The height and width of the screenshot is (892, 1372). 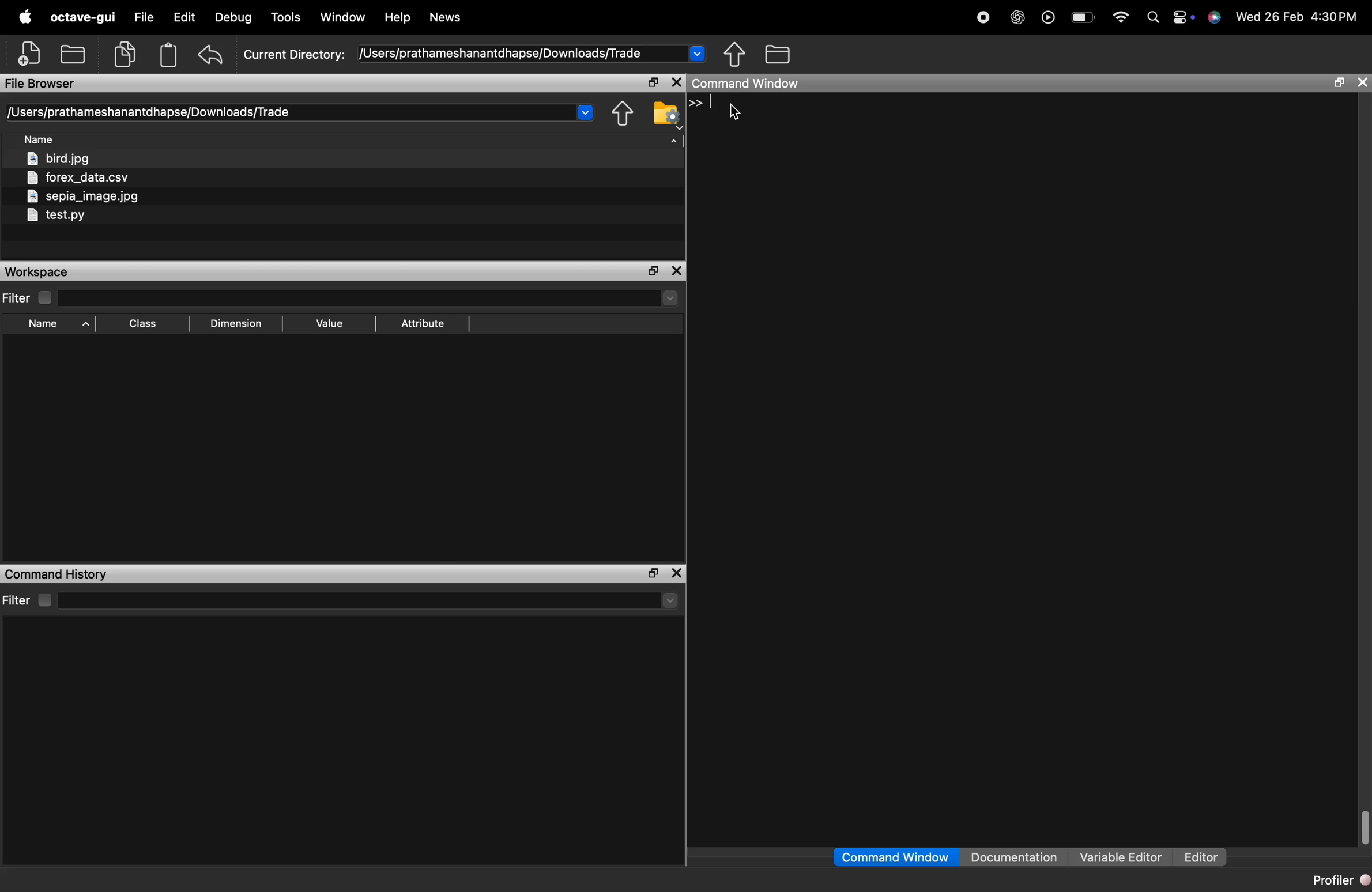 What do you see at coordinates (1048, 18) in the screenshot?
I see `play` at bounding box center [1048, 18].